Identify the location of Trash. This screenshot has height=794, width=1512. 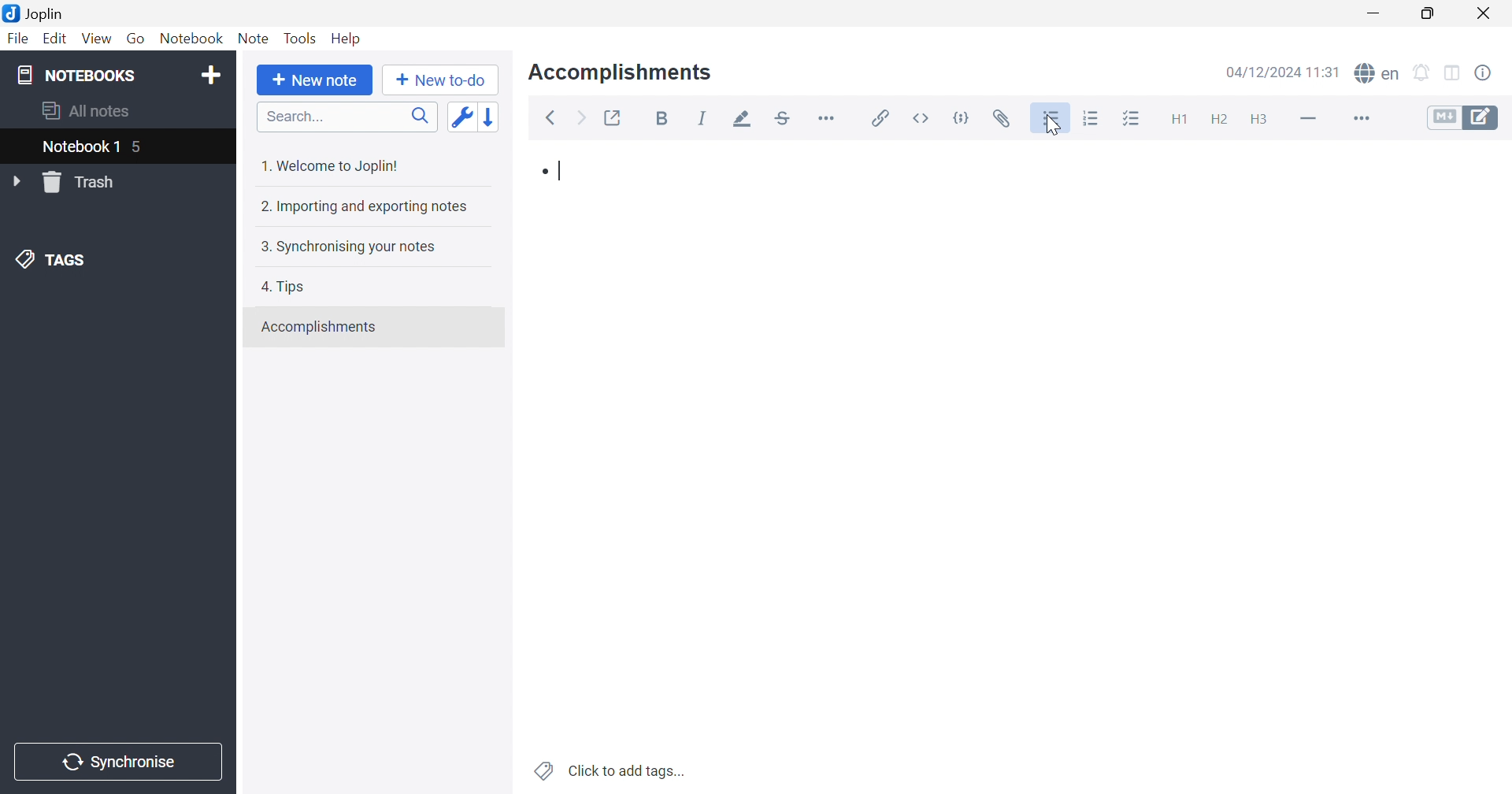
(83, 182).